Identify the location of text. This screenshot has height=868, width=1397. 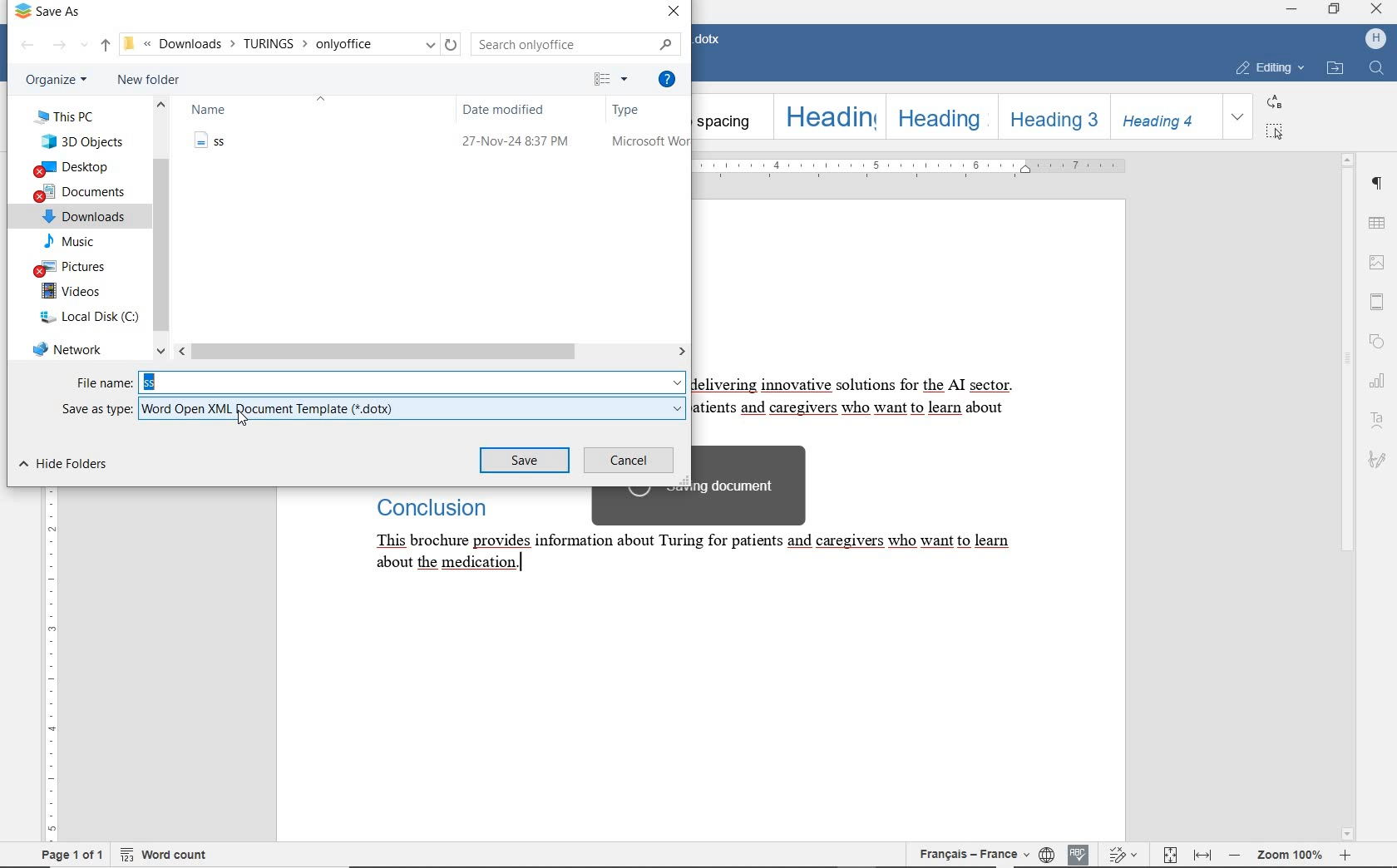
(521, 559).